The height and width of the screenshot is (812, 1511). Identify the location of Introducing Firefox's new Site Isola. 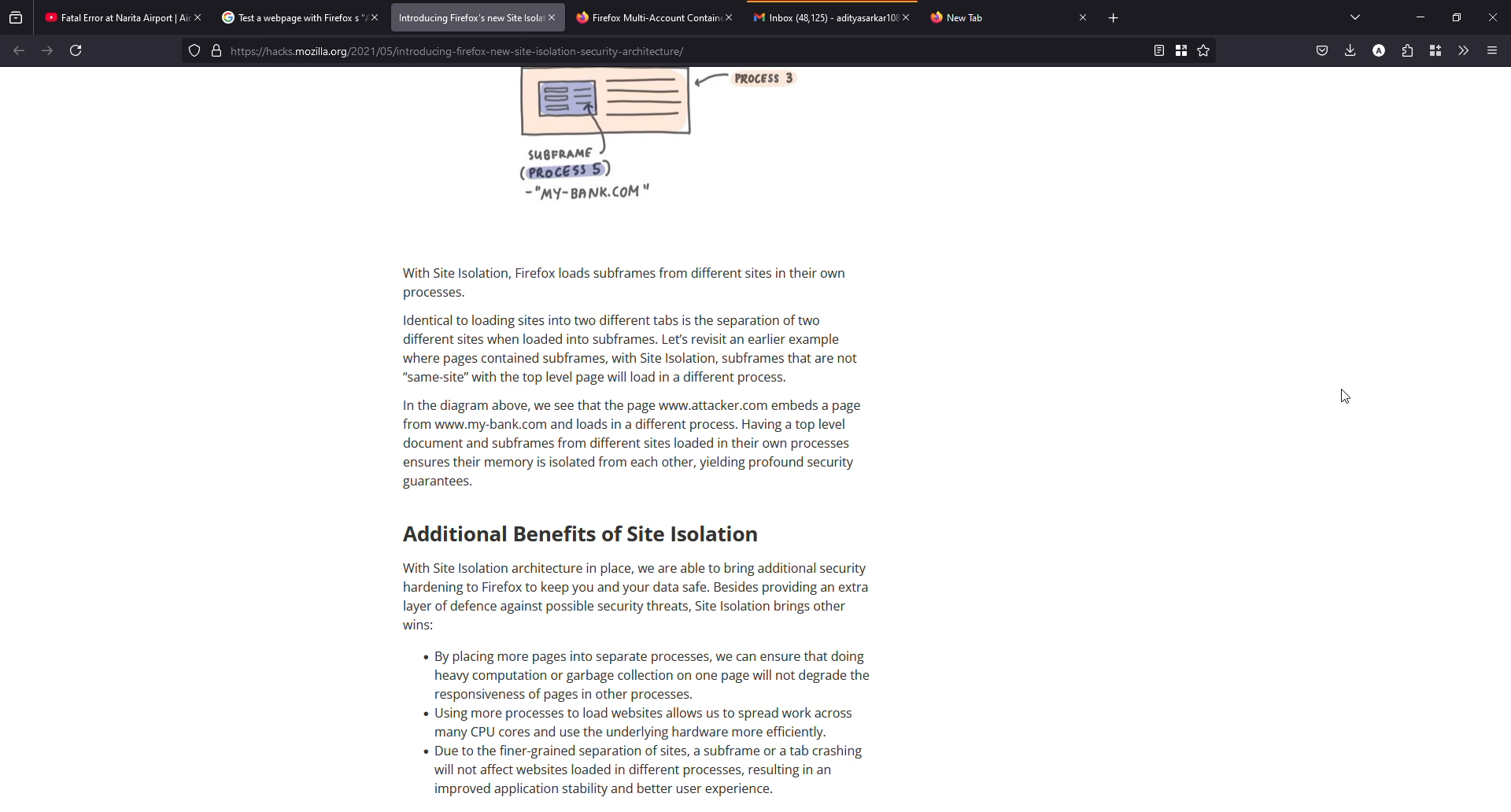
(467, 18).